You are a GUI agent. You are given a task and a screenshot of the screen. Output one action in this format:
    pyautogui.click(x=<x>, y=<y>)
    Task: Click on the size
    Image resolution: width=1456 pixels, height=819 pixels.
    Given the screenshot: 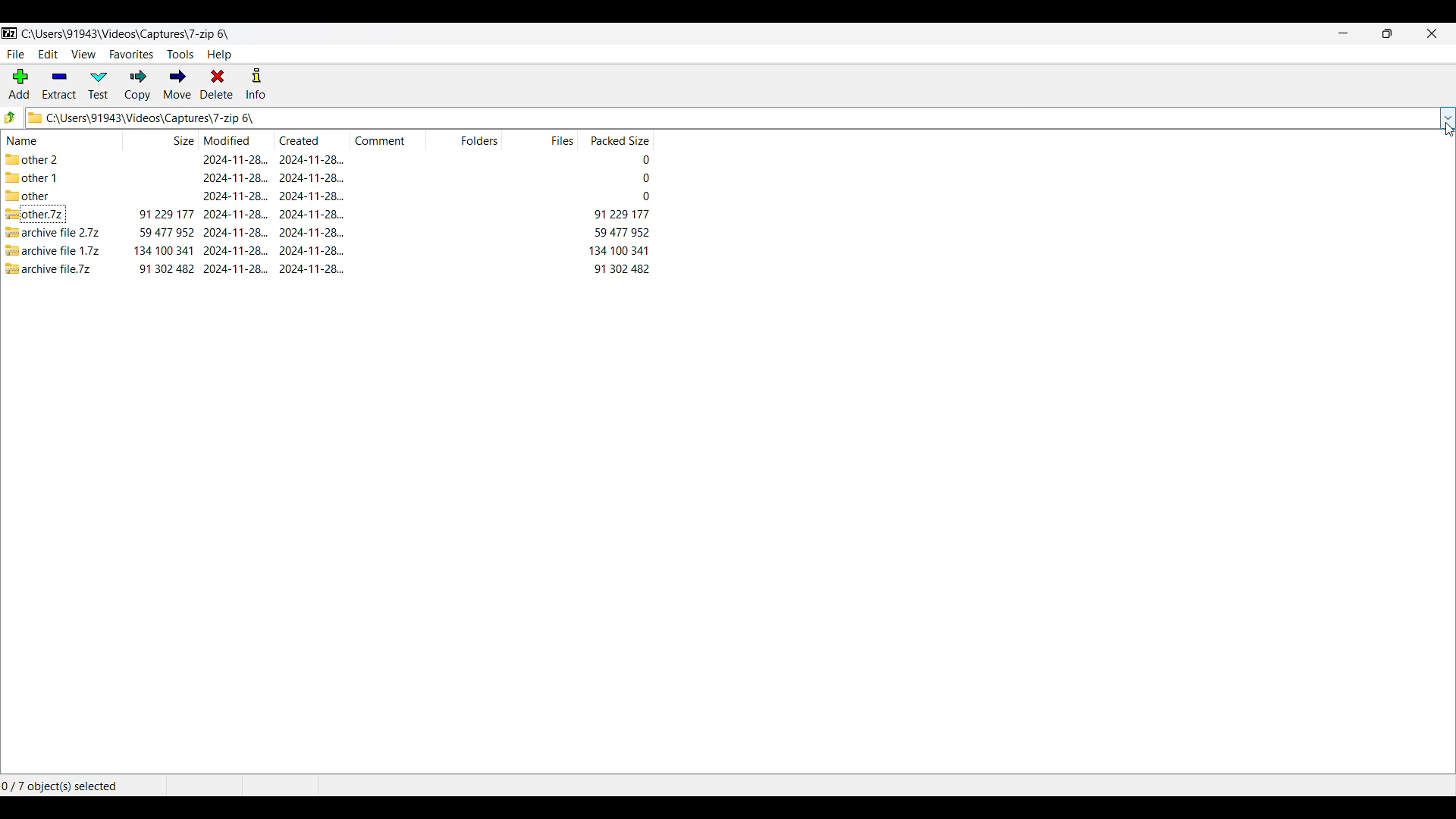 What is the action you would take?
    pyautogui.click(x=167, y=233)
    